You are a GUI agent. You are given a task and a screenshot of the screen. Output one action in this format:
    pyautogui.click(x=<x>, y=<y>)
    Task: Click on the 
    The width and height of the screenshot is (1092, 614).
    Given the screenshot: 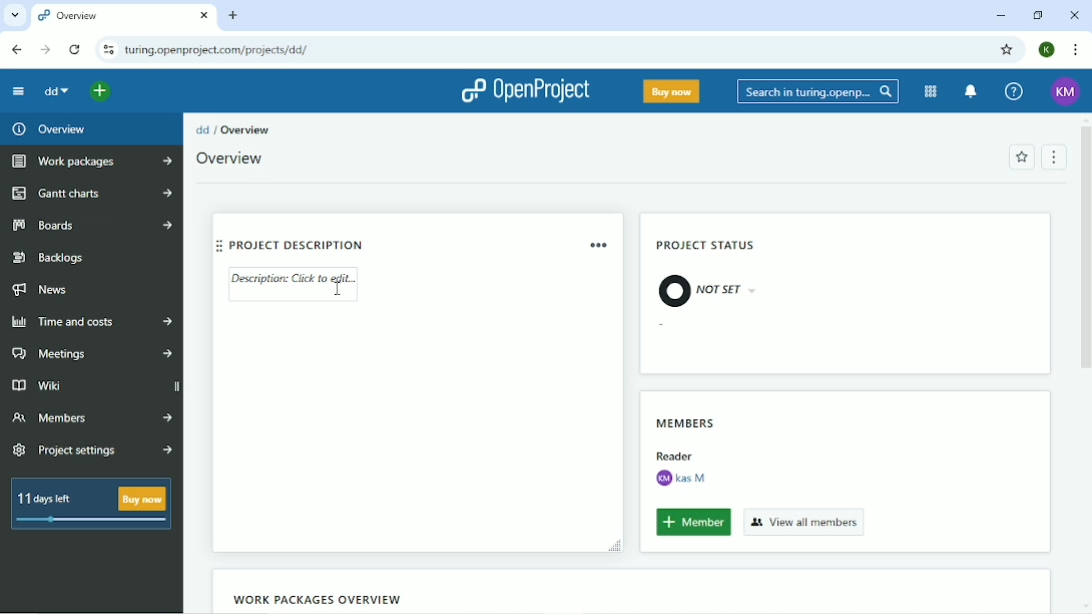 What is the action you would take?
    pyautogui.click(x=674, y=453)
    